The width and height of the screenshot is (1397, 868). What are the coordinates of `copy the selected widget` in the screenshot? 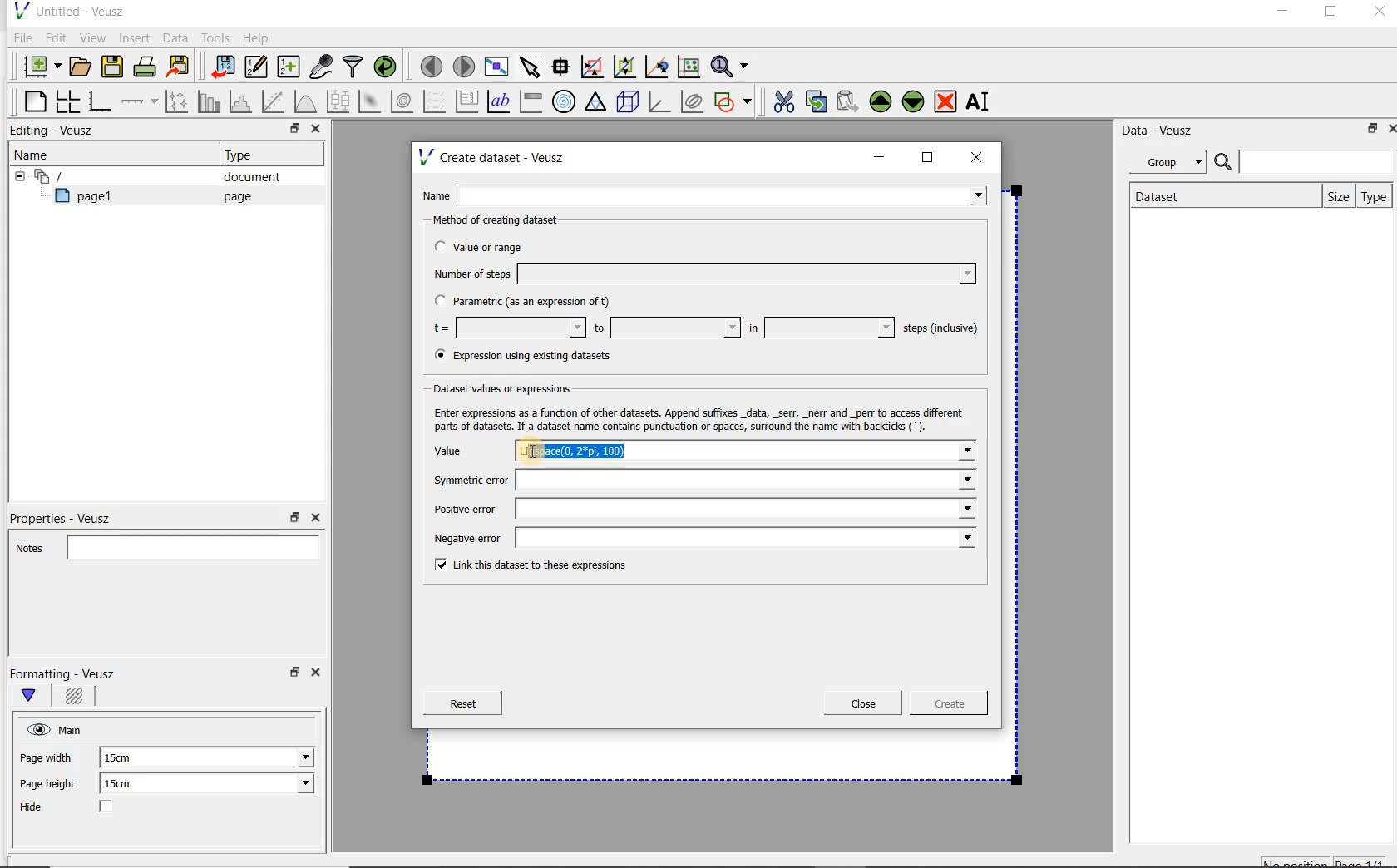 It's located at (817, 101).